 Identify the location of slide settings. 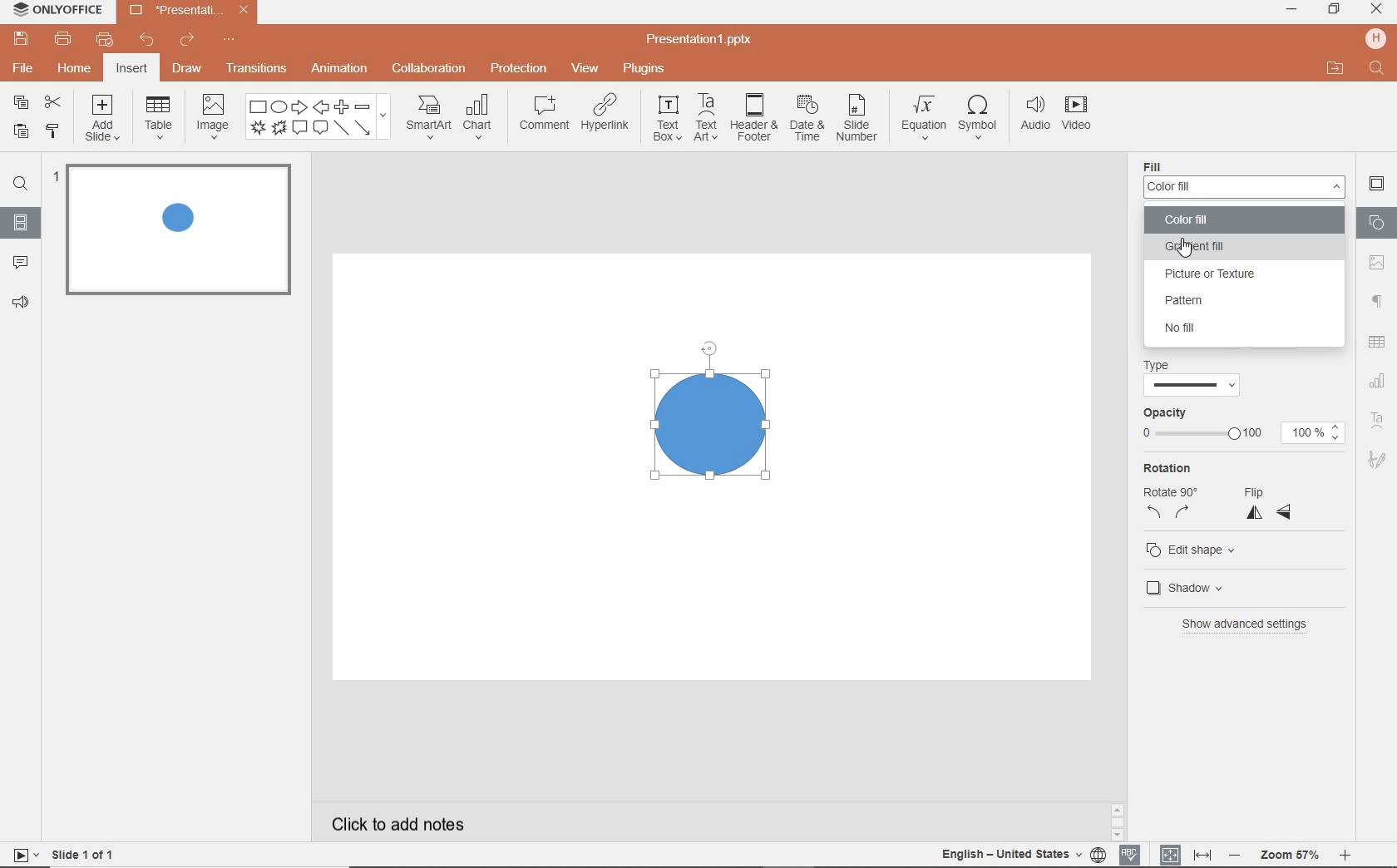
(1376, 184).